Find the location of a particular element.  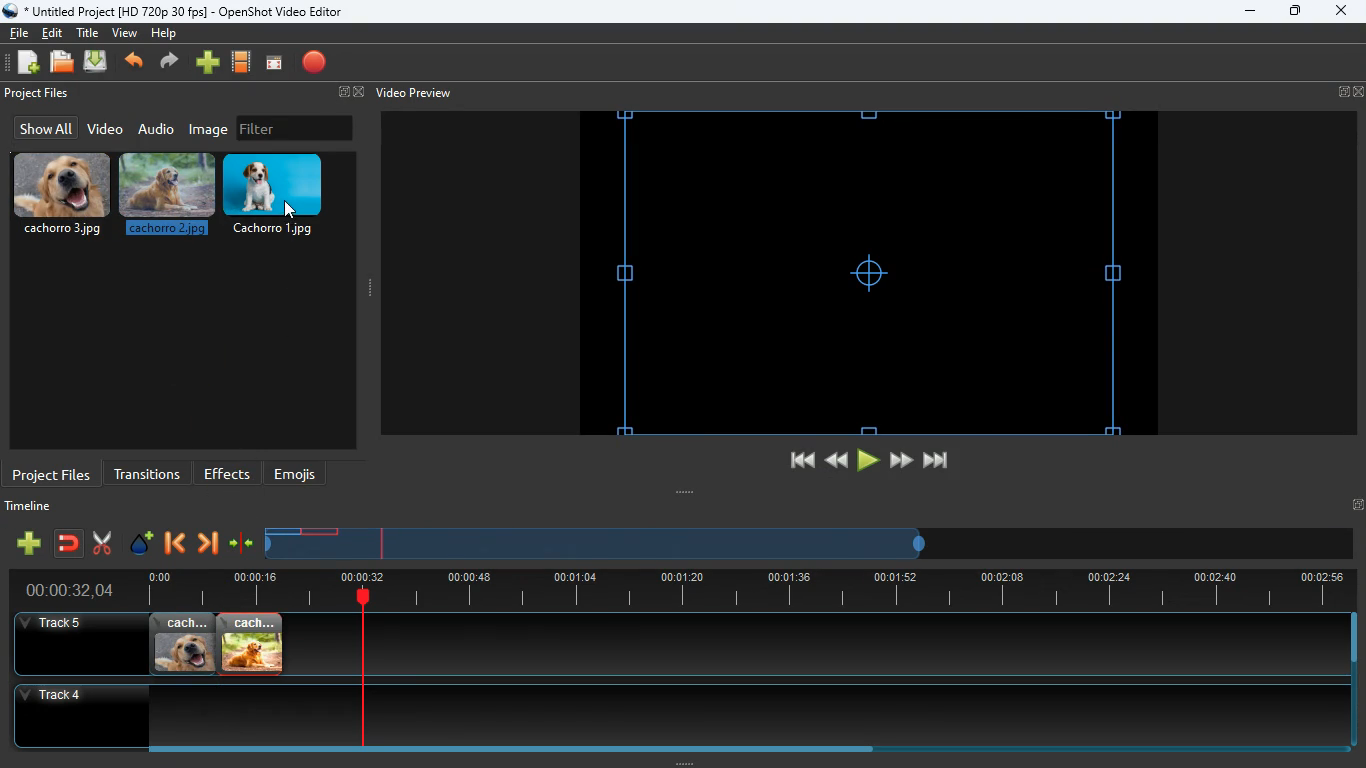

film is located at coordinates (242, 63).